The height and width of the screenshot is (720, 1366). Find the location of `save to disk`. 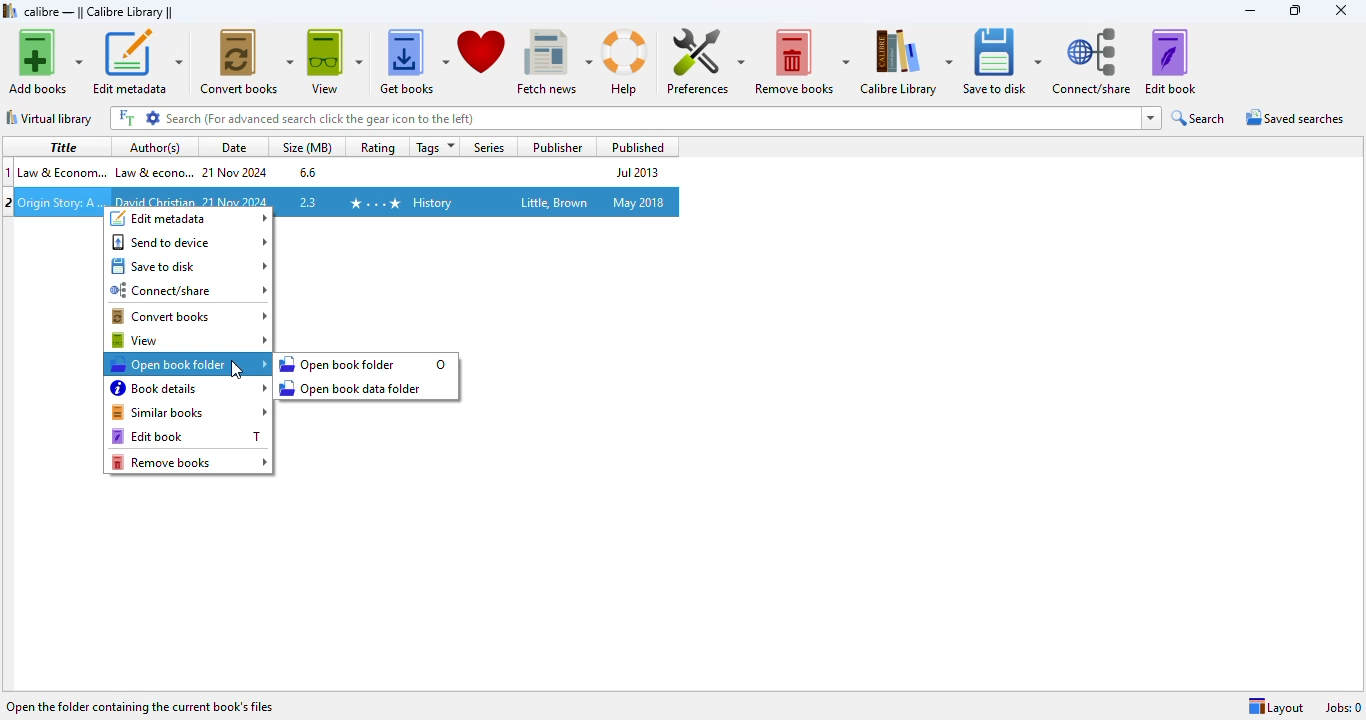

save to disk is located at coordinates (1001, 62).